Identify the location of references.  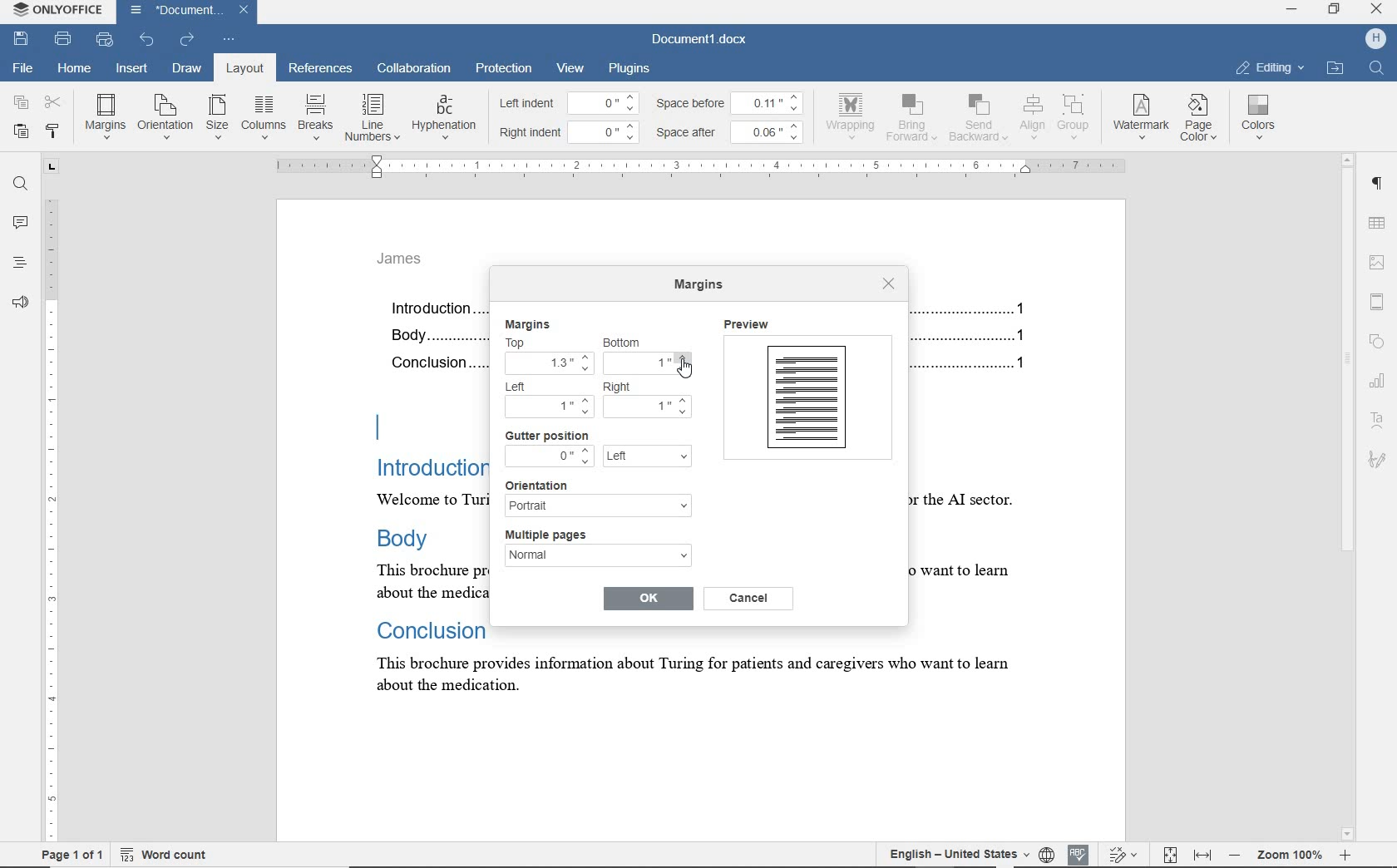
(321, 70).